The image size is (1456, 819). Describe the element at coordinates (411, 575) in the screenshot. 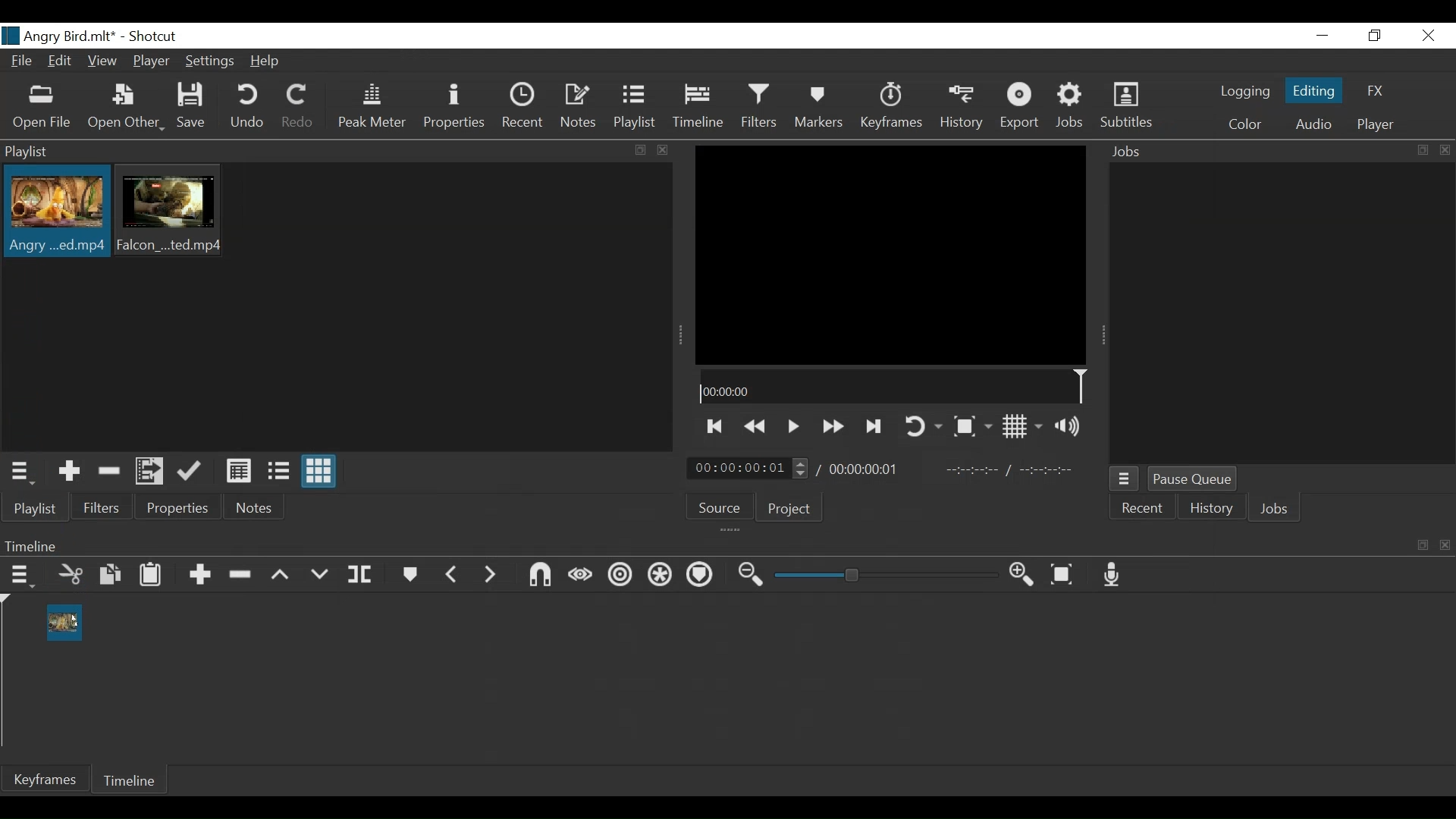

I see `Markers` at that location.